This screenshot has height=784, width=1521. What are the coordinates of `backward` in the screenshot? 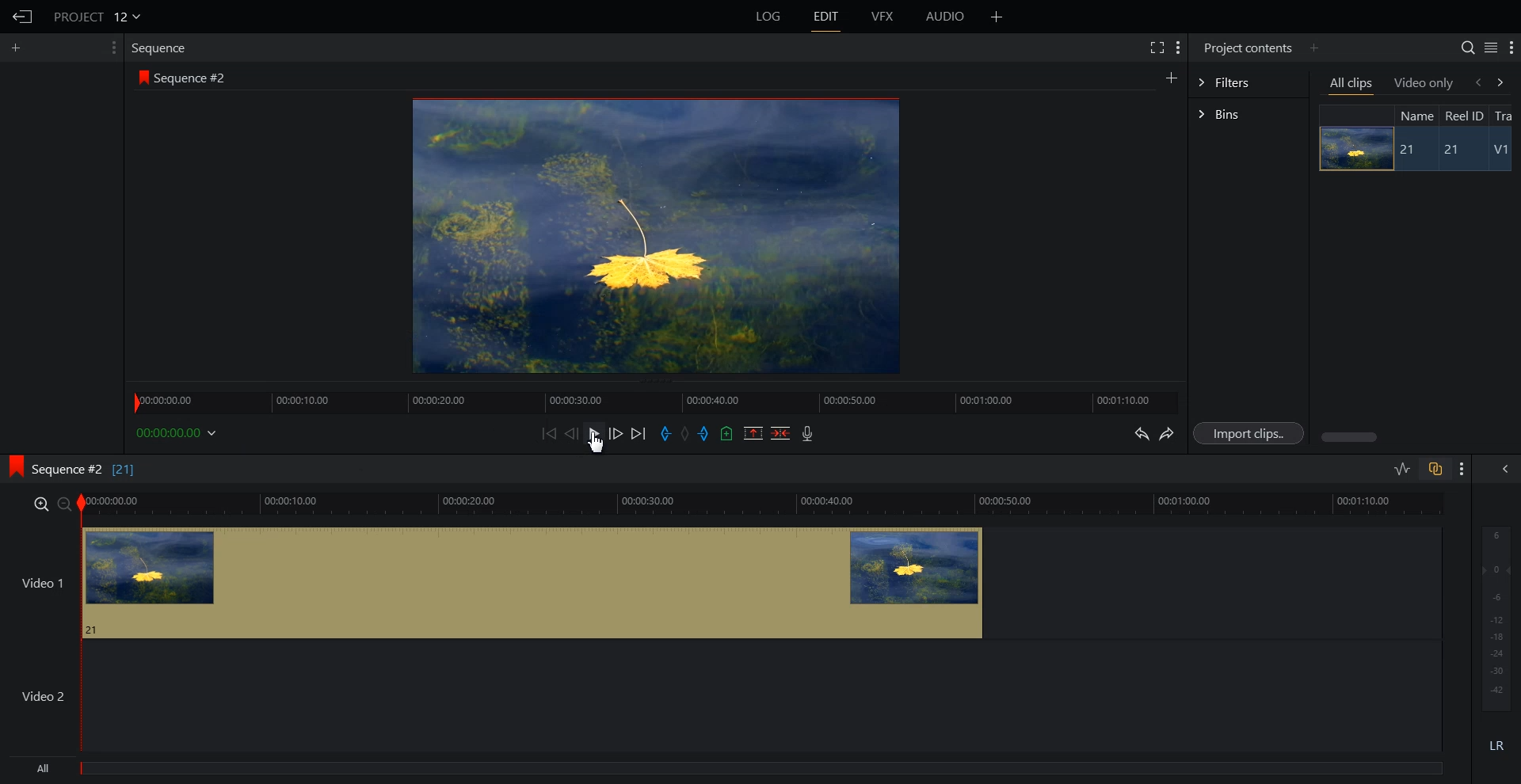 It's located at (1477, 82).